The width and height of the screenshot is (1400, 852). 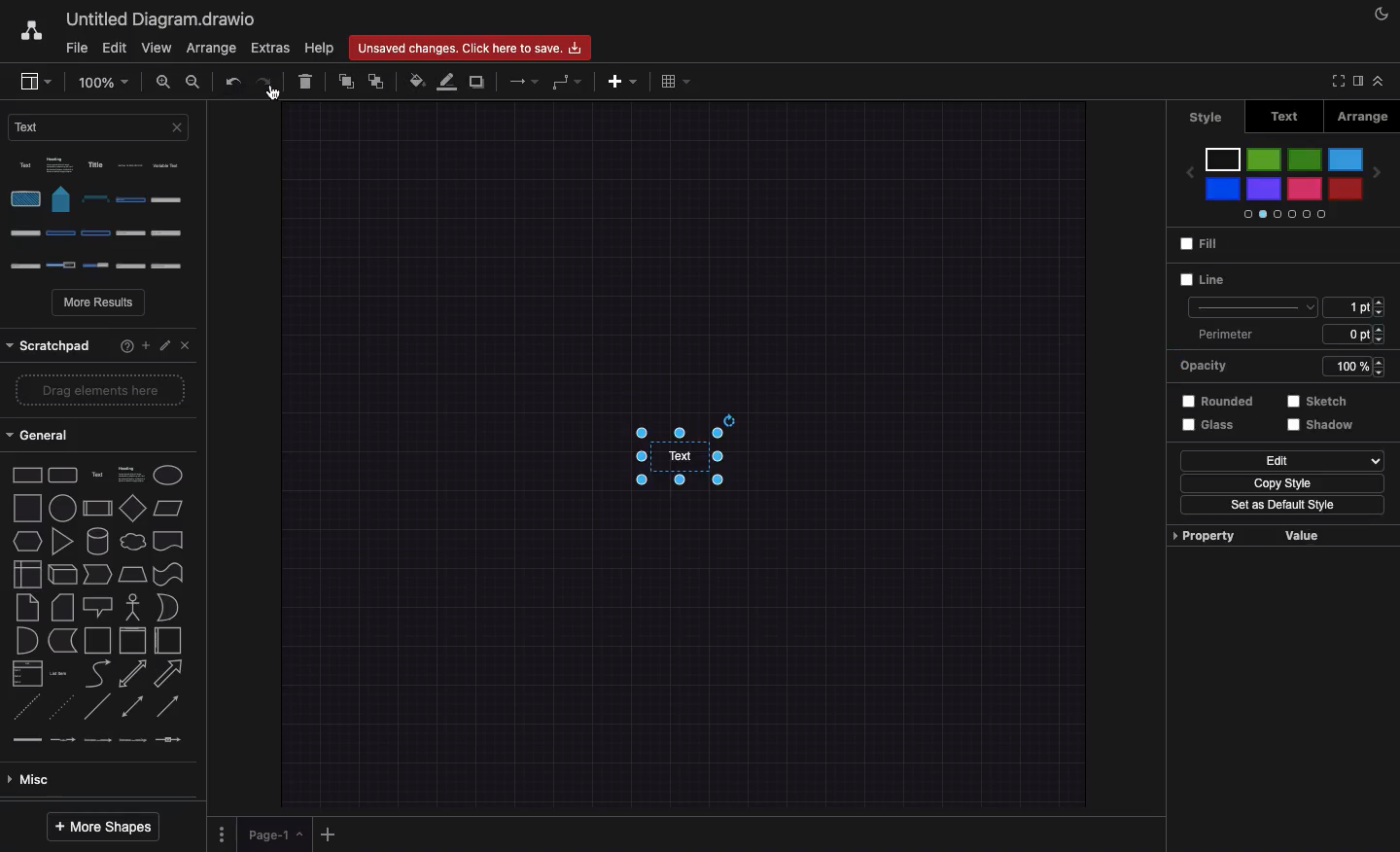 What do you see at coordinates (269, 48) in the screenshot?
I see `Extras` at bounding box center [269, 48].